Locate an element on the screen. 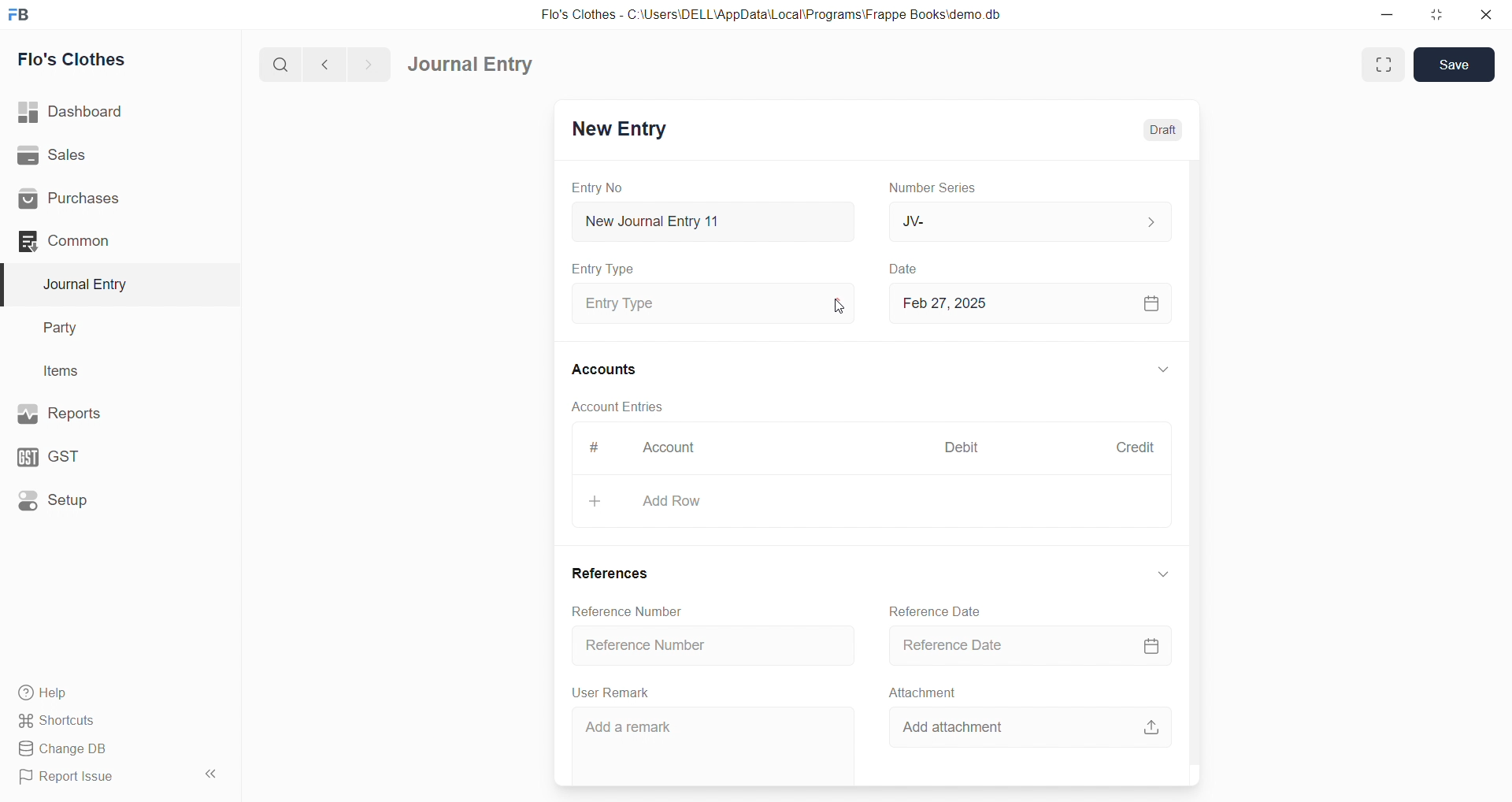  Account Entries is located at coordinates (619, 405).